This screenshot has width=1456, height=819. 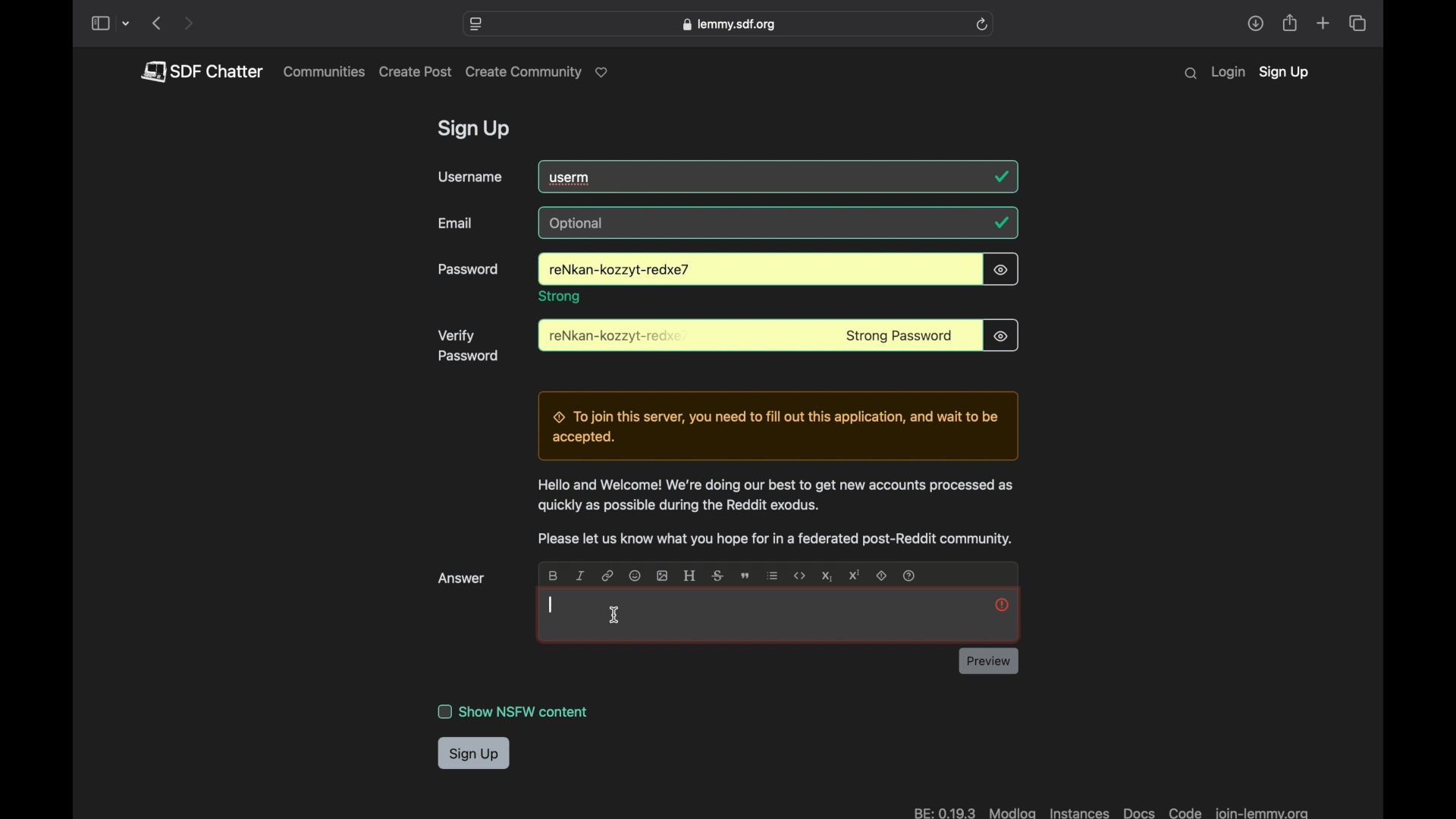 What do you see at coordinates (1324, 23) in the screenshot?
I see `new tab` at bounding box center [1324, 23].